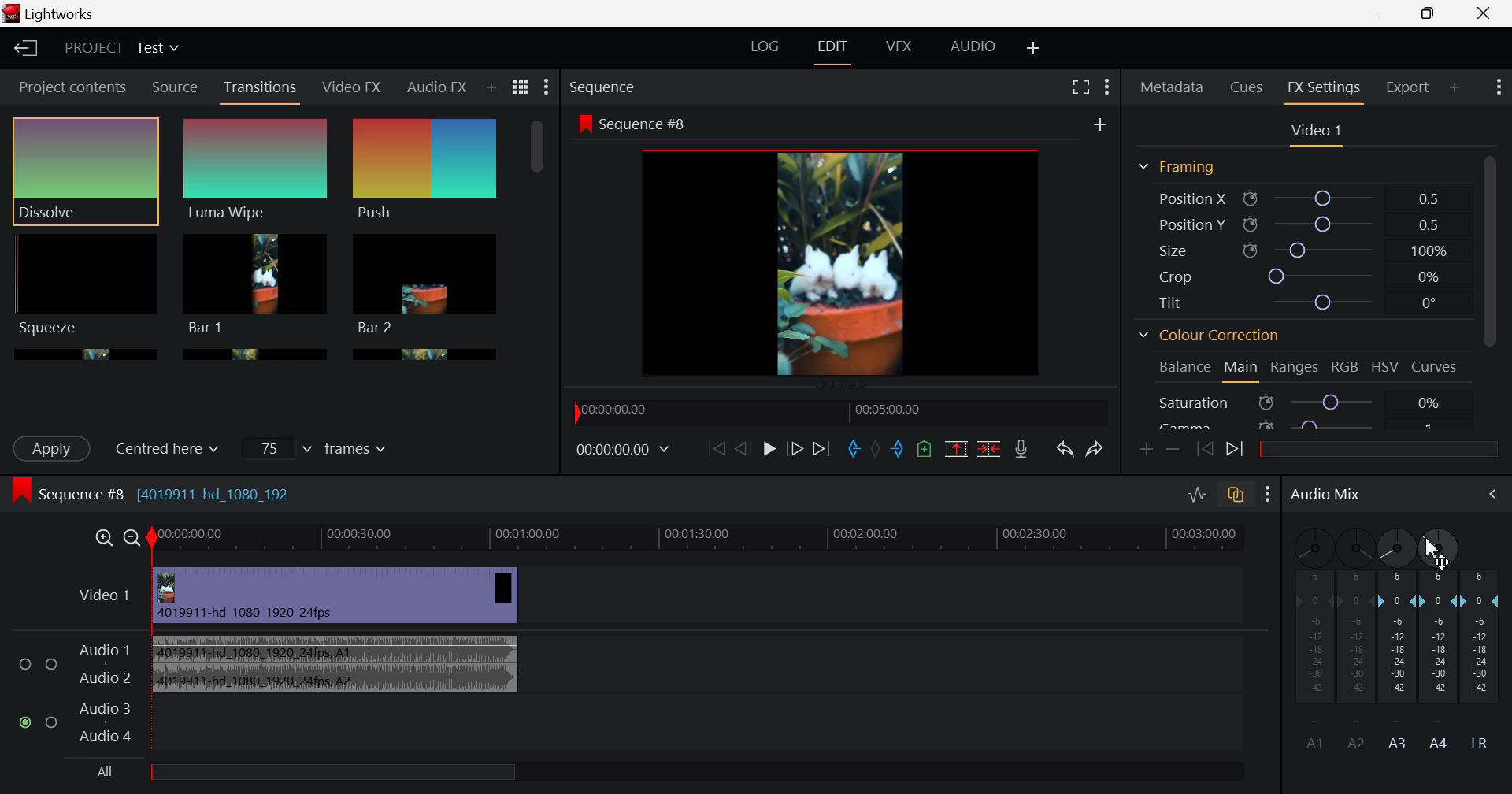 The image size is (1512, 794). I want to click on Toggle audio levels editing, so click(1196, 497).